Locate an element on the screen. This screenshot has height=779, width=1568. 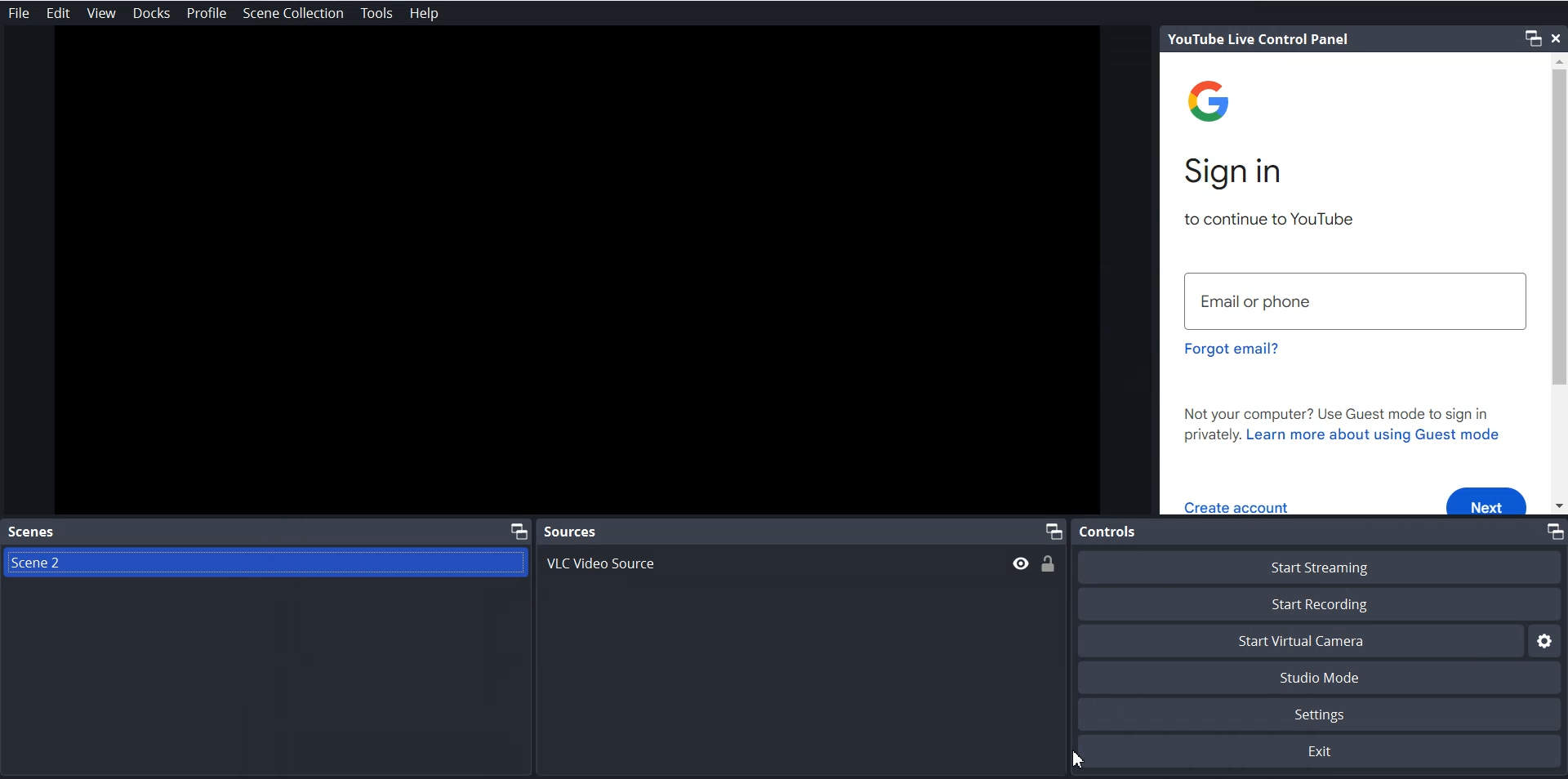
Settings is located at coordinates (1547, 640).